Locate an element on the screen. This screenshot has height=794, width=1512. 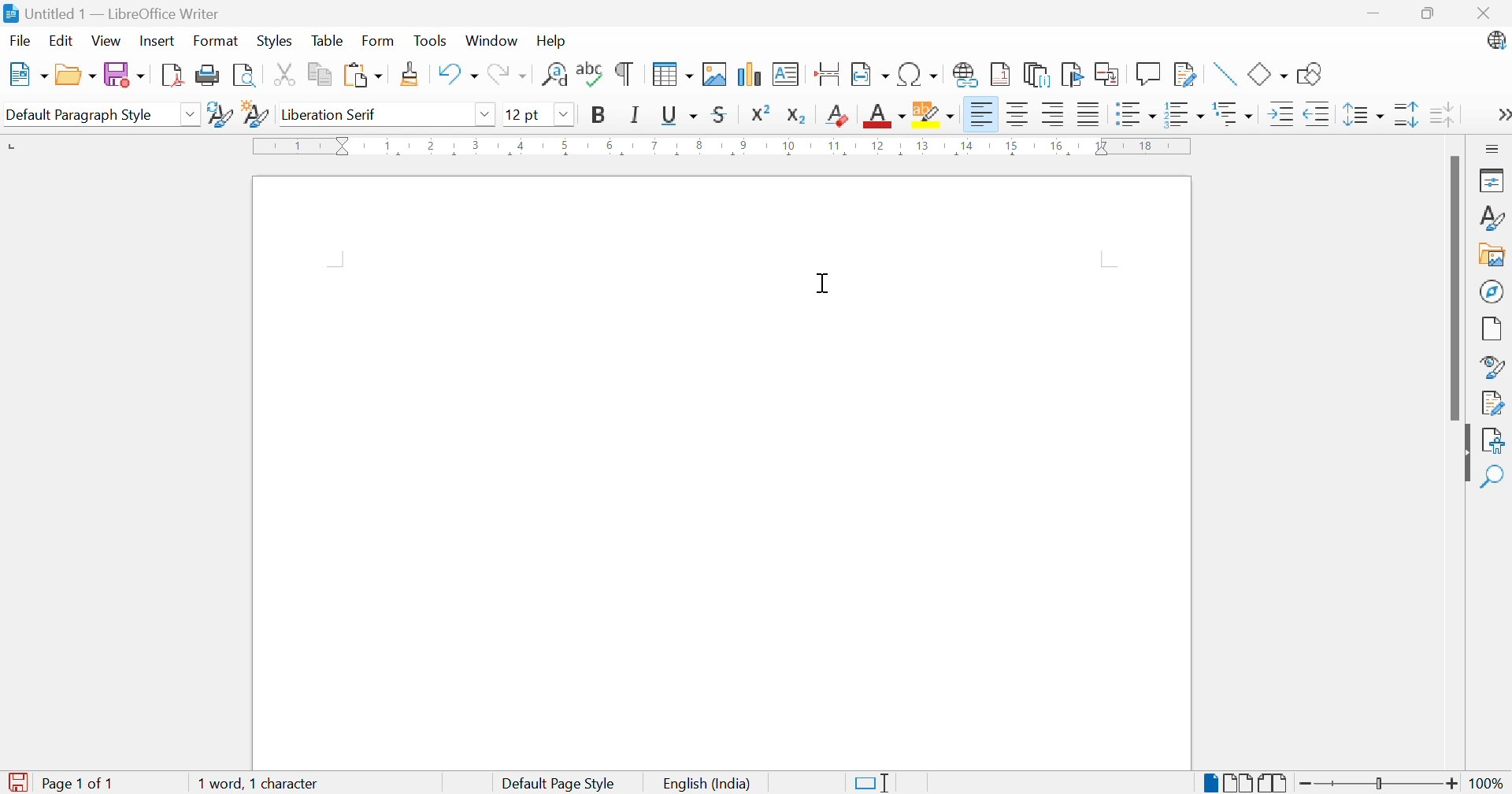
Toggle Formatting Marks is located at coordinates (625, 76).